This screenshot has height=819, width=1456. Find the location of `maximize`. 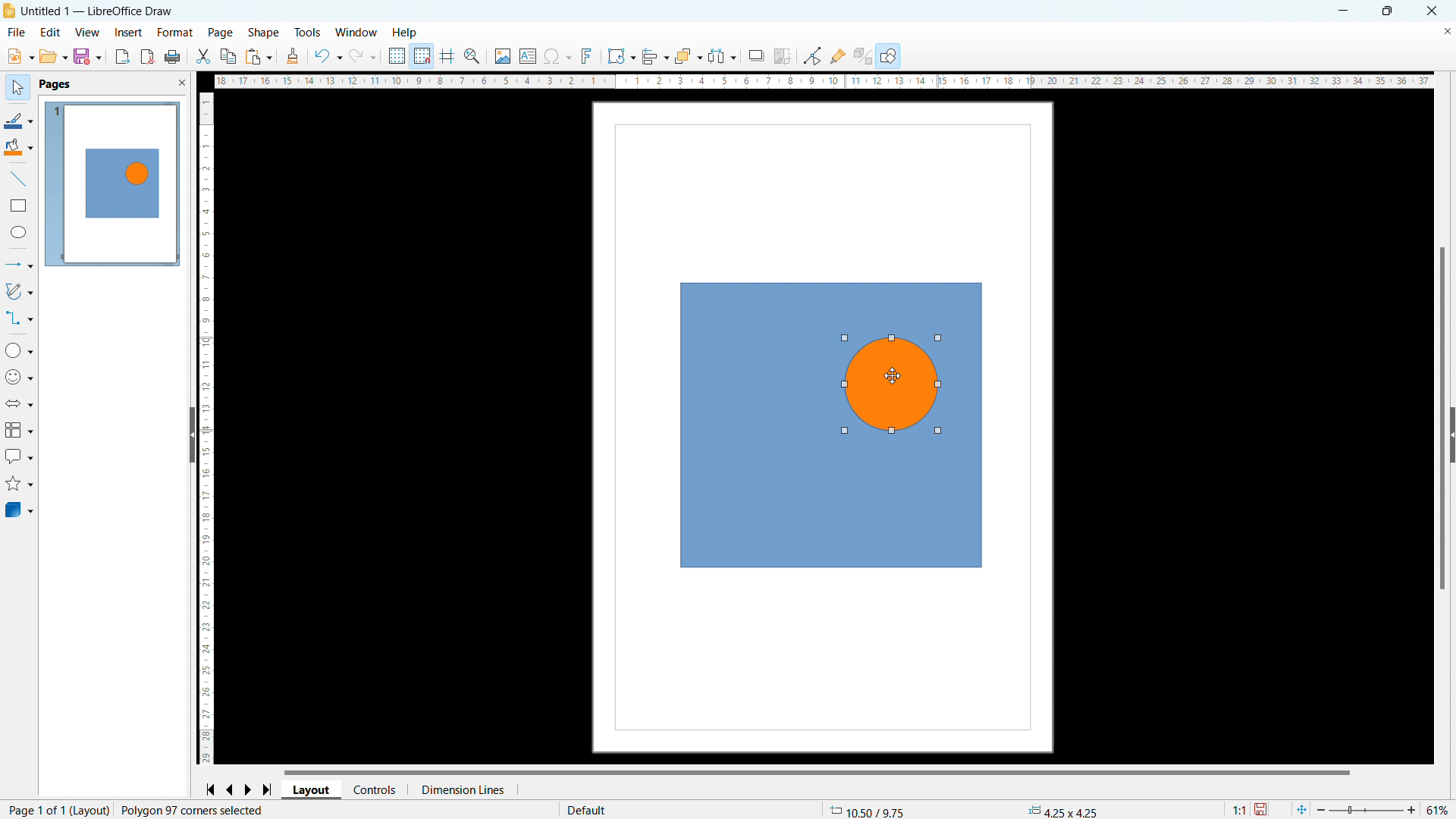

maximize is located at coordinates (1388, 11).